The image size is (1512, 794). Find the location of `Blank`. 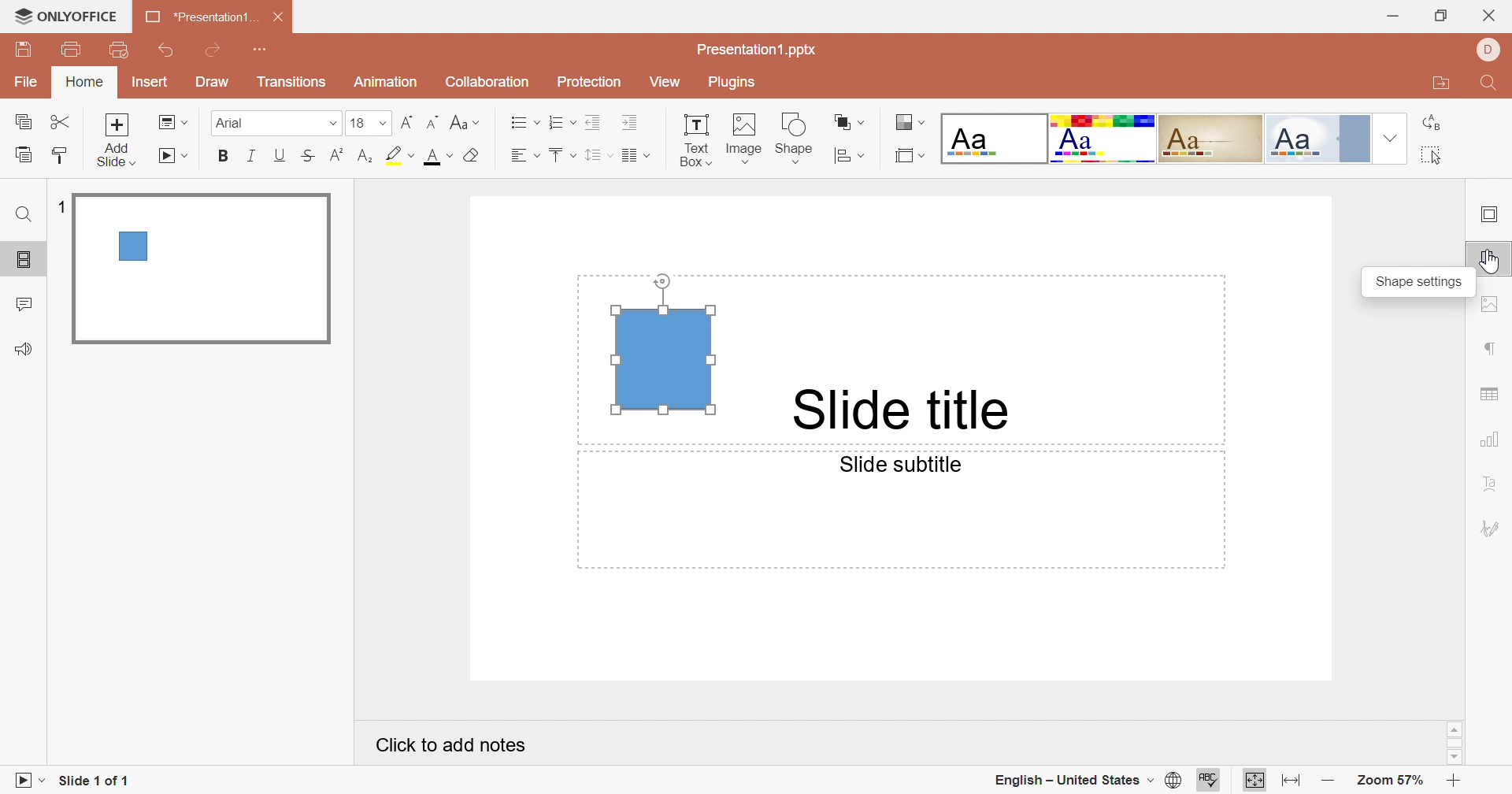

Blank is located at coordinates (993, 140).